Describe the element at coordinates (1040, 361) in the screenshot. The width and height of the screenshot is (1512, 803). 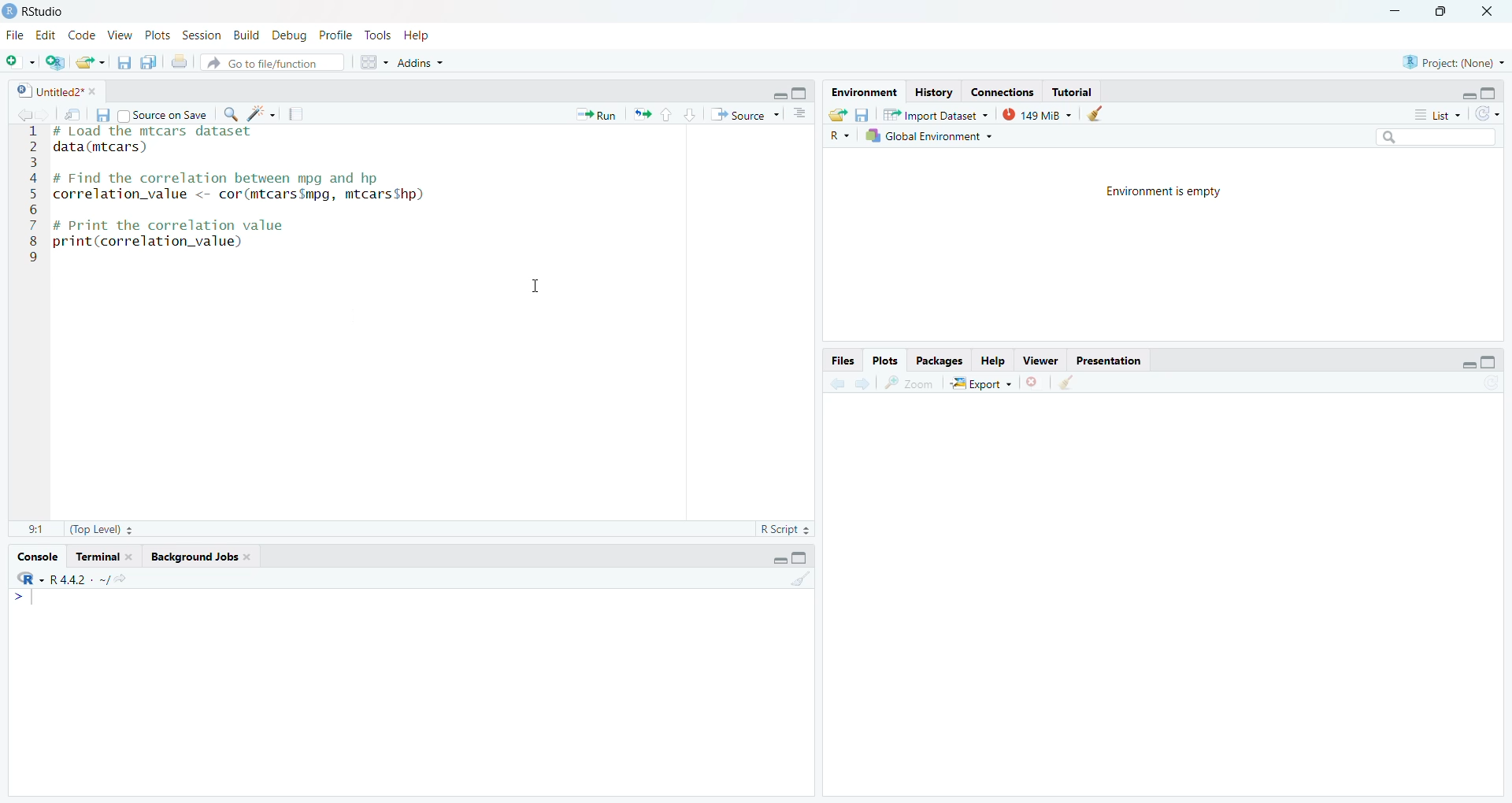
I see `View` at that location.